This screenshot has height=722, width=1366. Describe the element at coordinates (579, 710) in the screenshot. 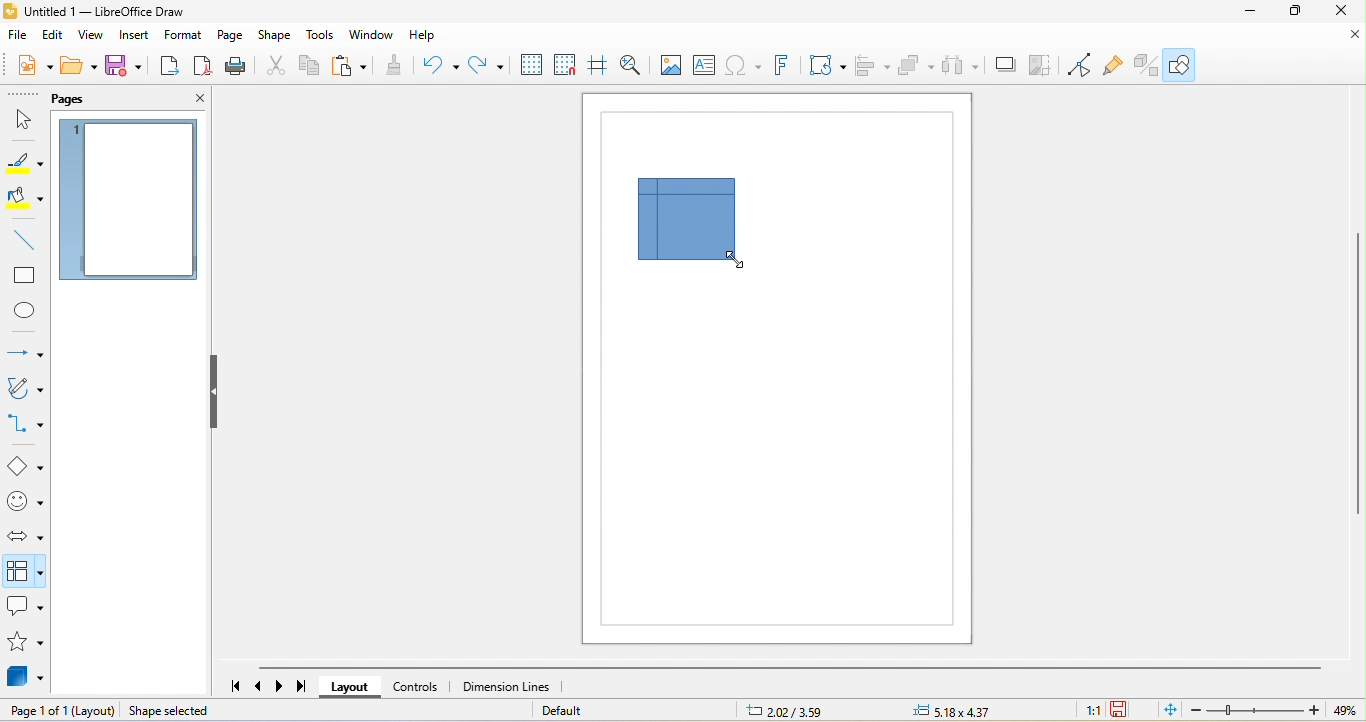

I see `default` at that location.